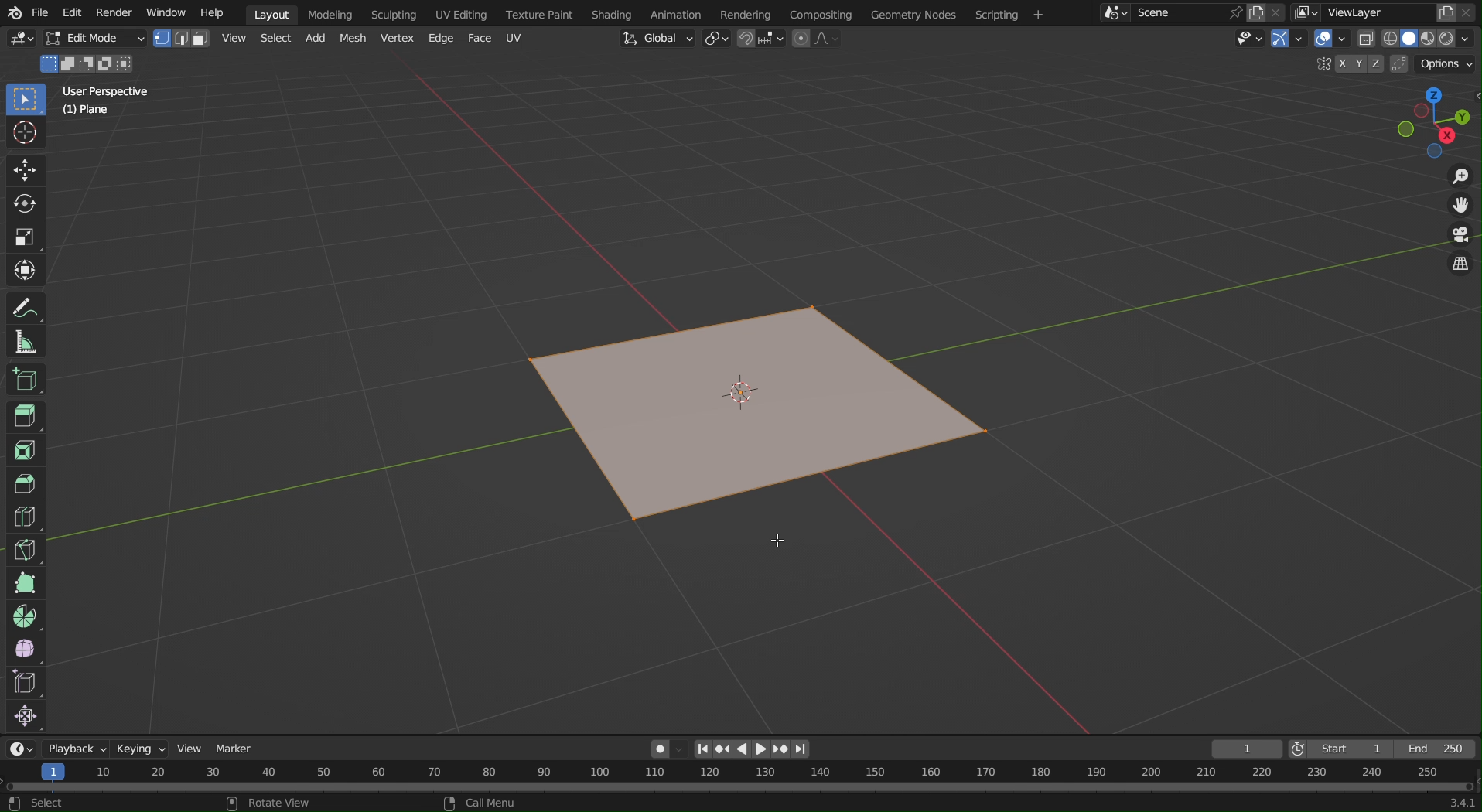  I want to click on Smooth, so click(24, 650).